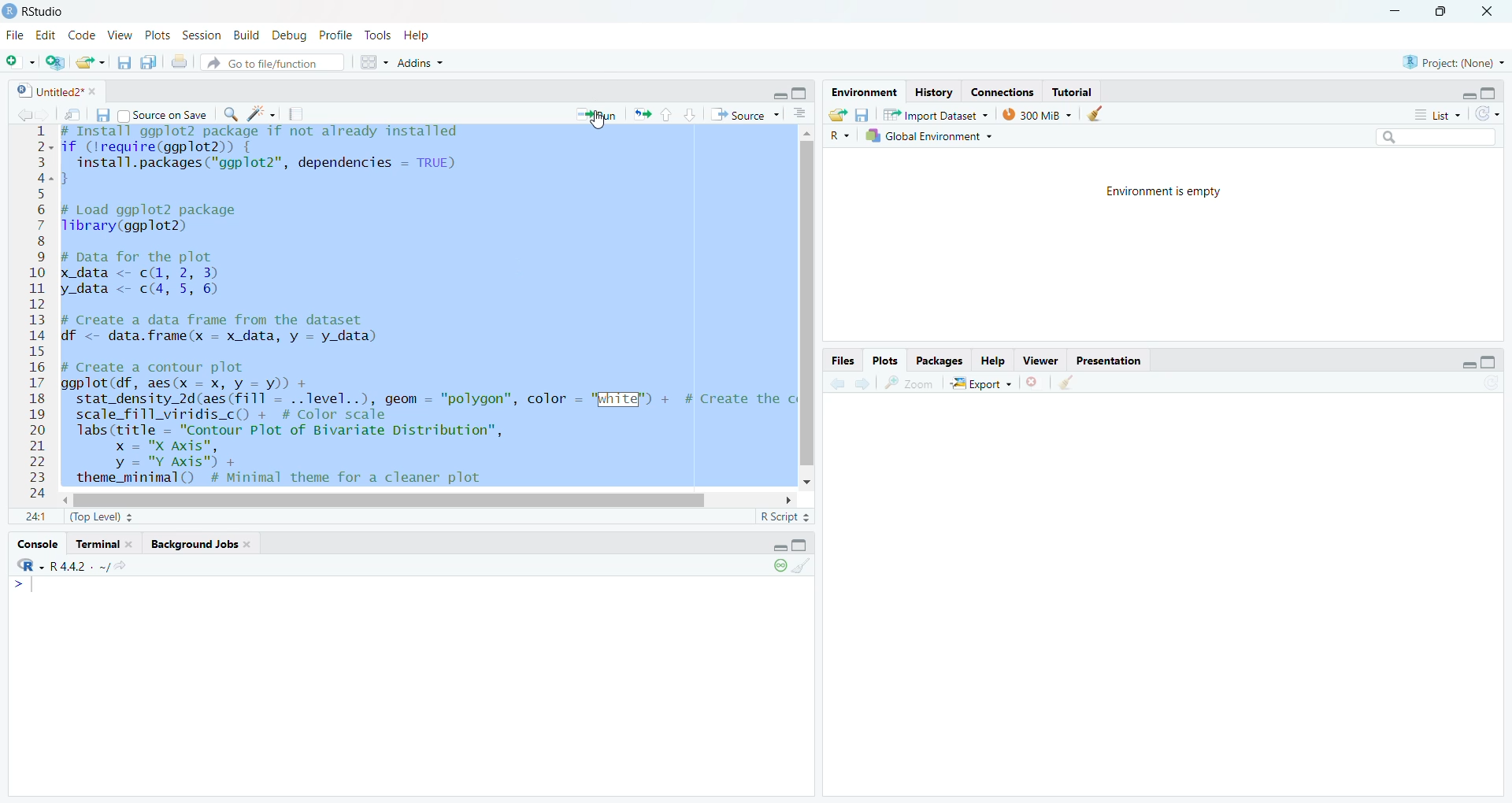  Describe the element at coordinates (18, 61) in the screenshot. I see `new file` at that location.